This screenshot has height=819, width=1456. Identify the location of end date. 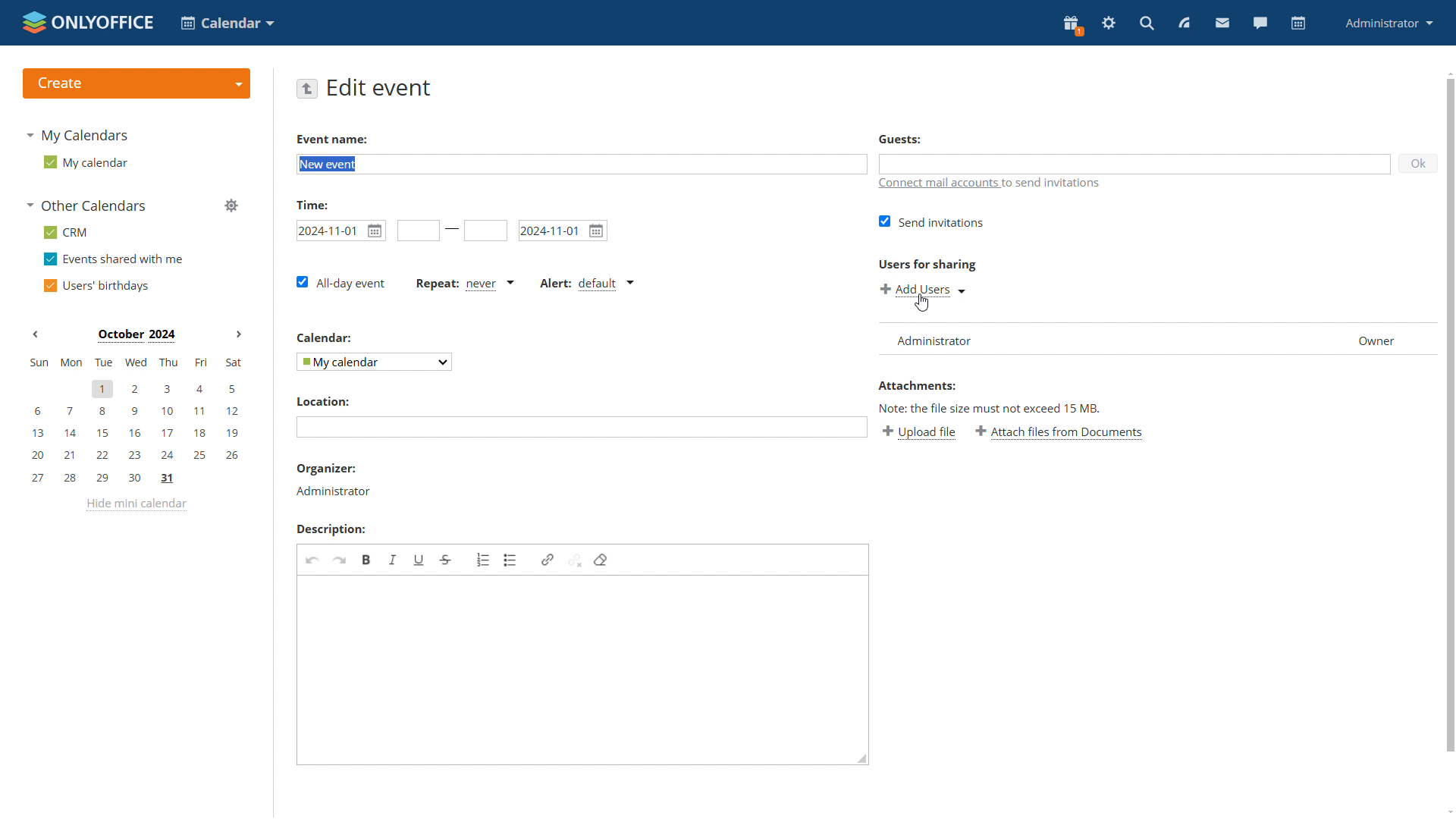
(561, 231).